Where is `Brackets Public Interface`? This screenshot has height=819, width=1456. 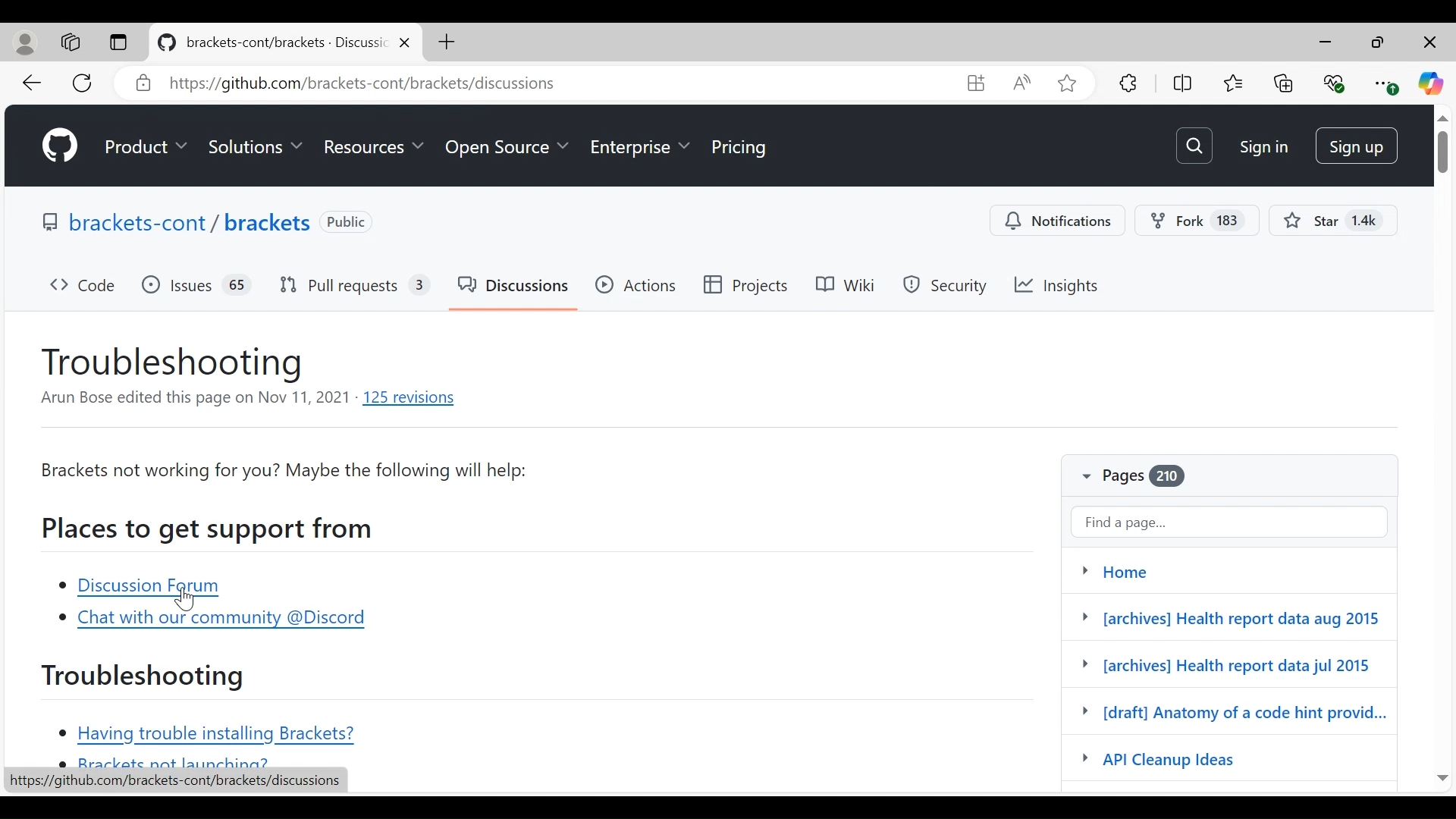 Brackets Public Interface is located at coordinates (202, 221).